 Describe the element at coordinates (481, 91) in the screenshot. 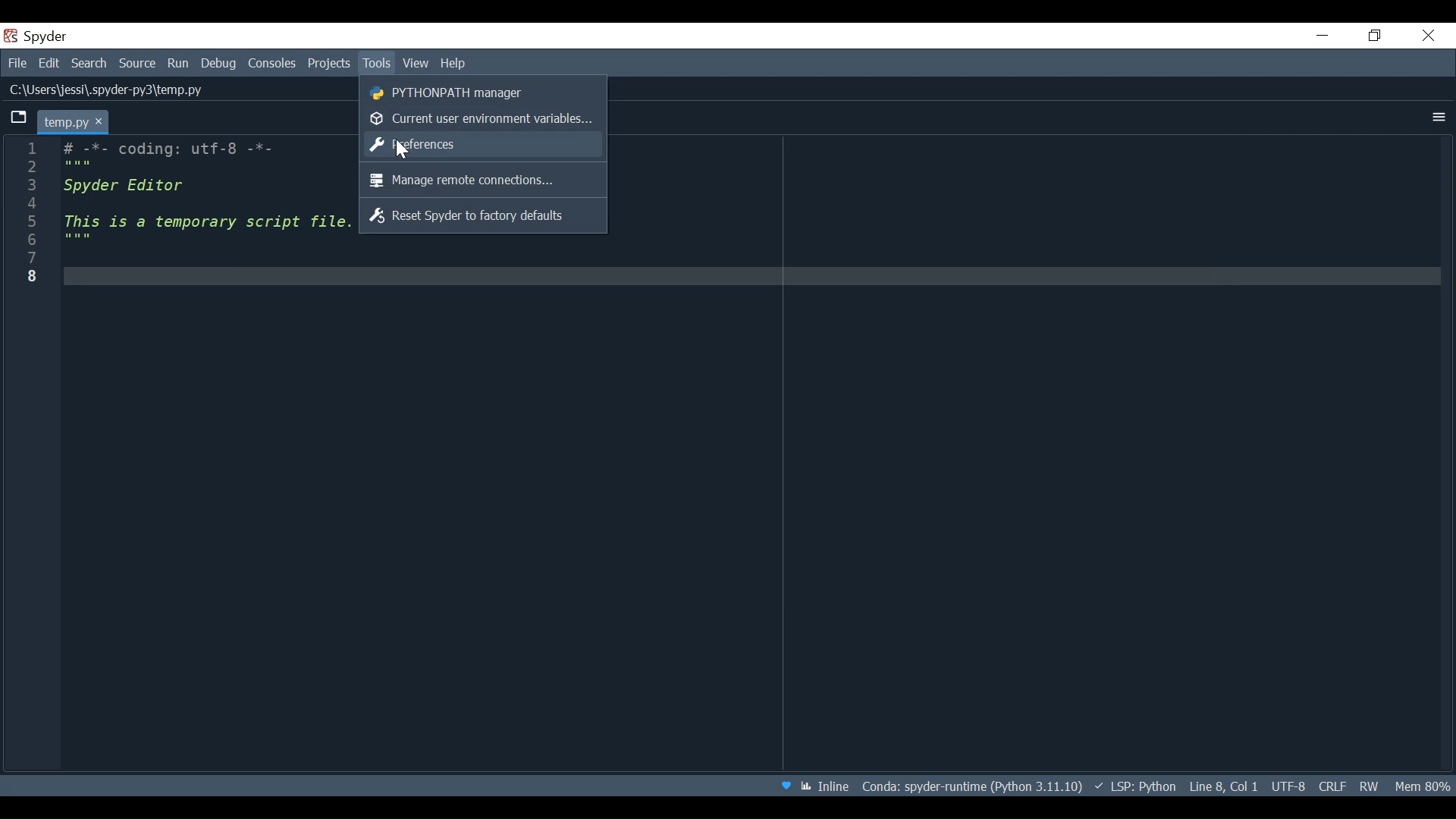

I see `PYTHONPATH Manager` at that location.